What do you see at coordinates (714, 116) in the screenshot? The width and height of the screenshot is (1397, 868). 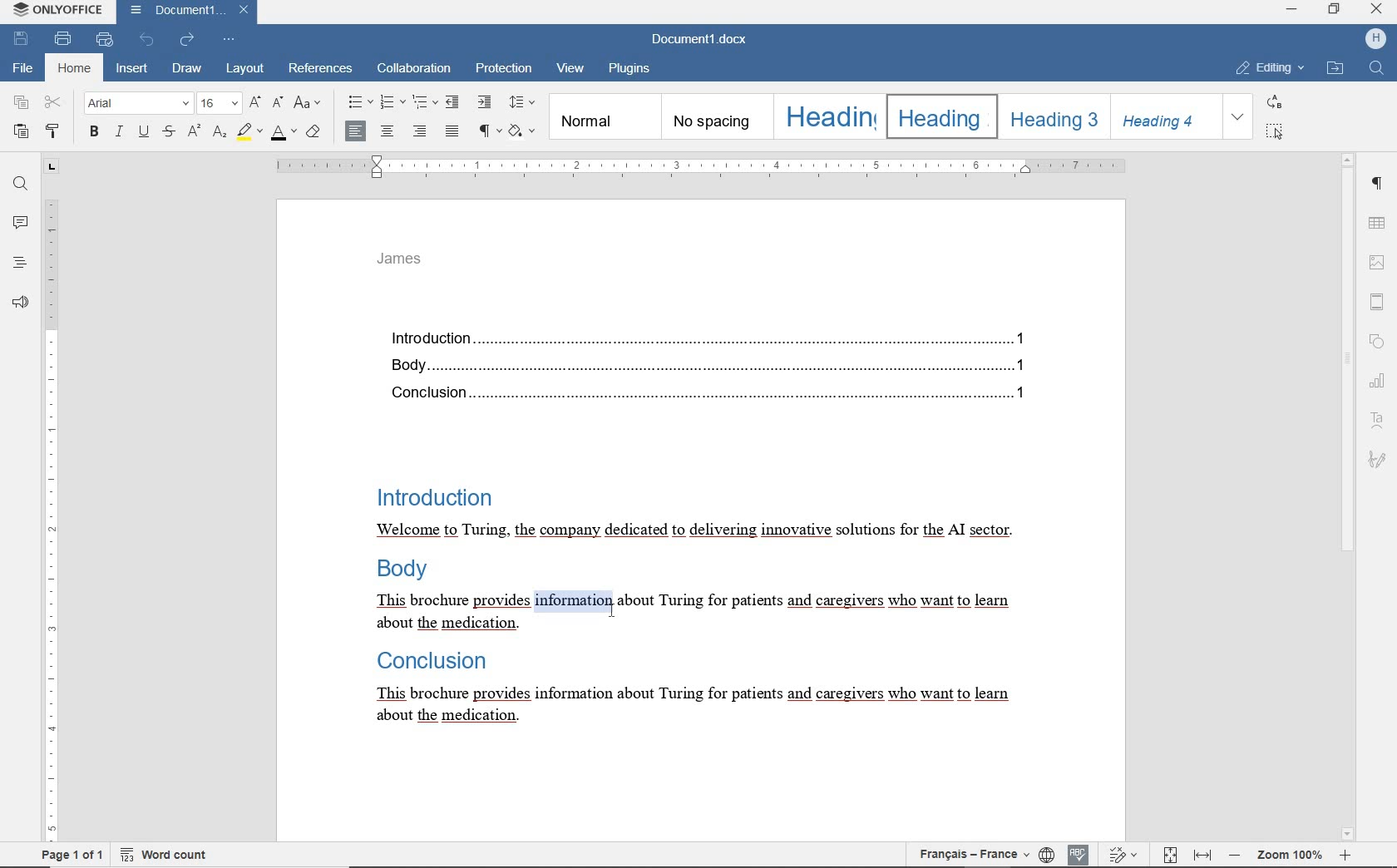 I see `NO SPACING` at bounding box center [714, 116].